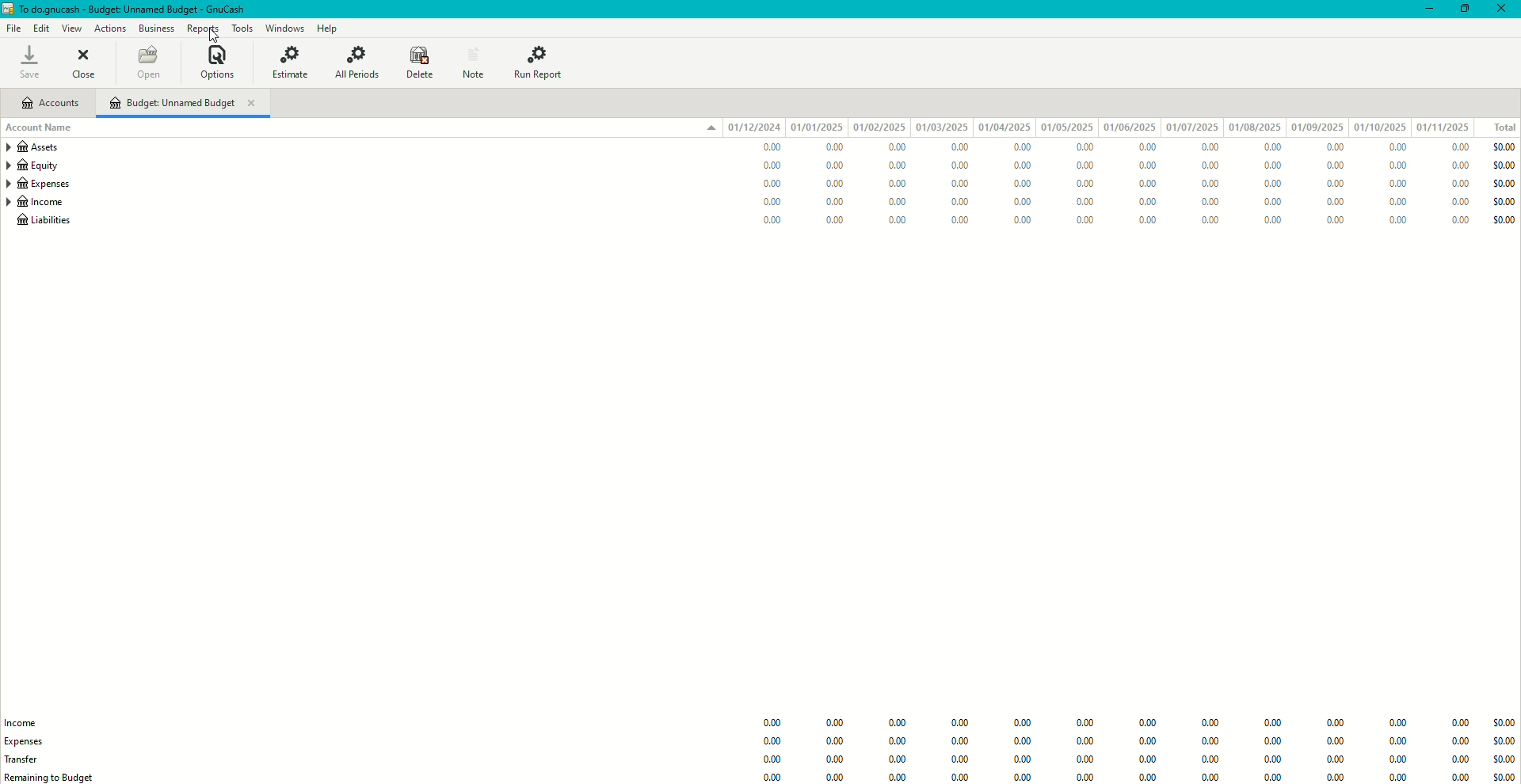 The width and height of the screenshot is (1521, 784). Describe the element at coordinates (1394, 760) in the screenshot. I see `0.00` at that location.